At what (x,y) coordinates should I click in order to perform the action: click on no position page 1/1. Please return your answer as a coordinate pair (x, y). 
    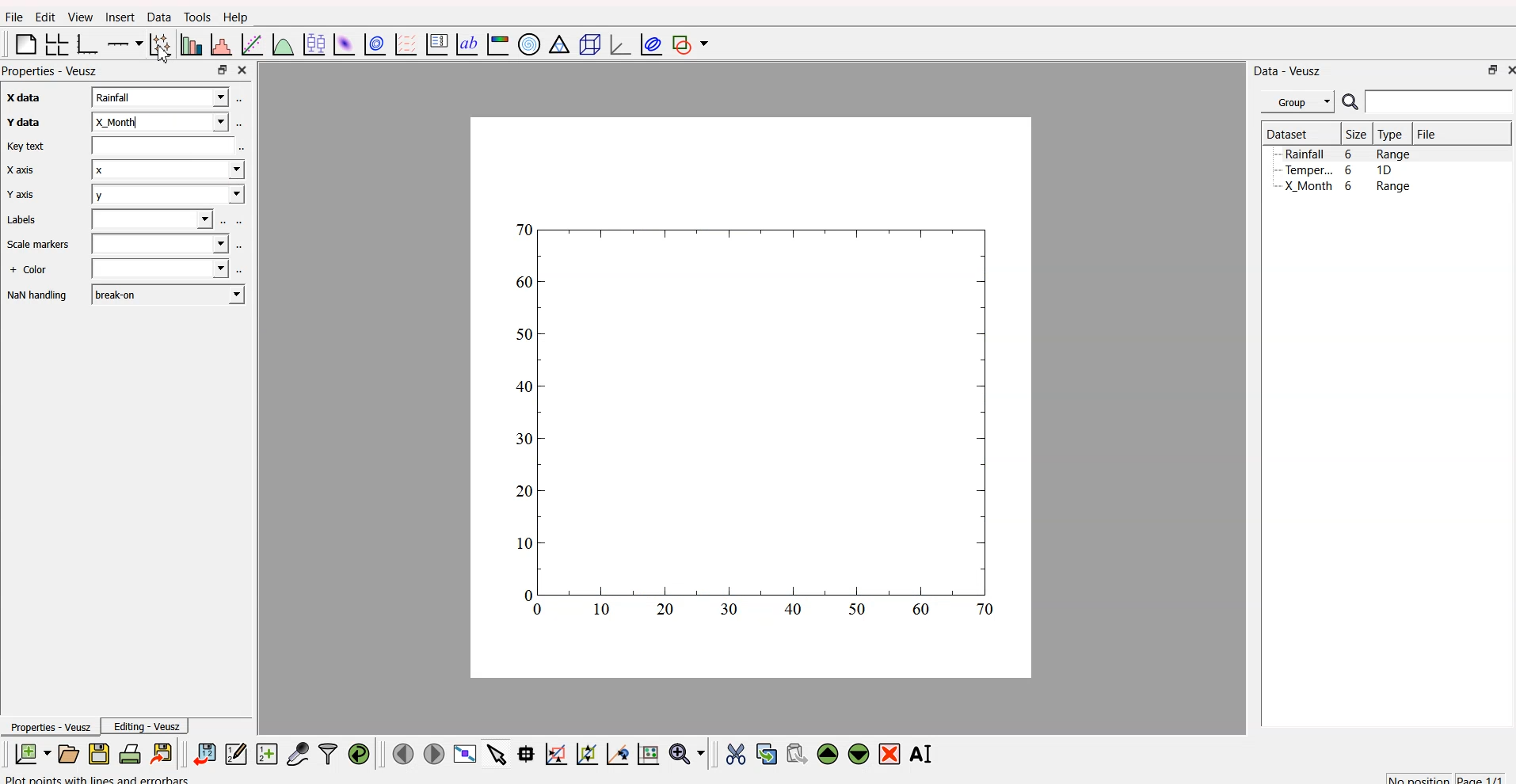
    Looking at the image, I should click on (1445, 775).